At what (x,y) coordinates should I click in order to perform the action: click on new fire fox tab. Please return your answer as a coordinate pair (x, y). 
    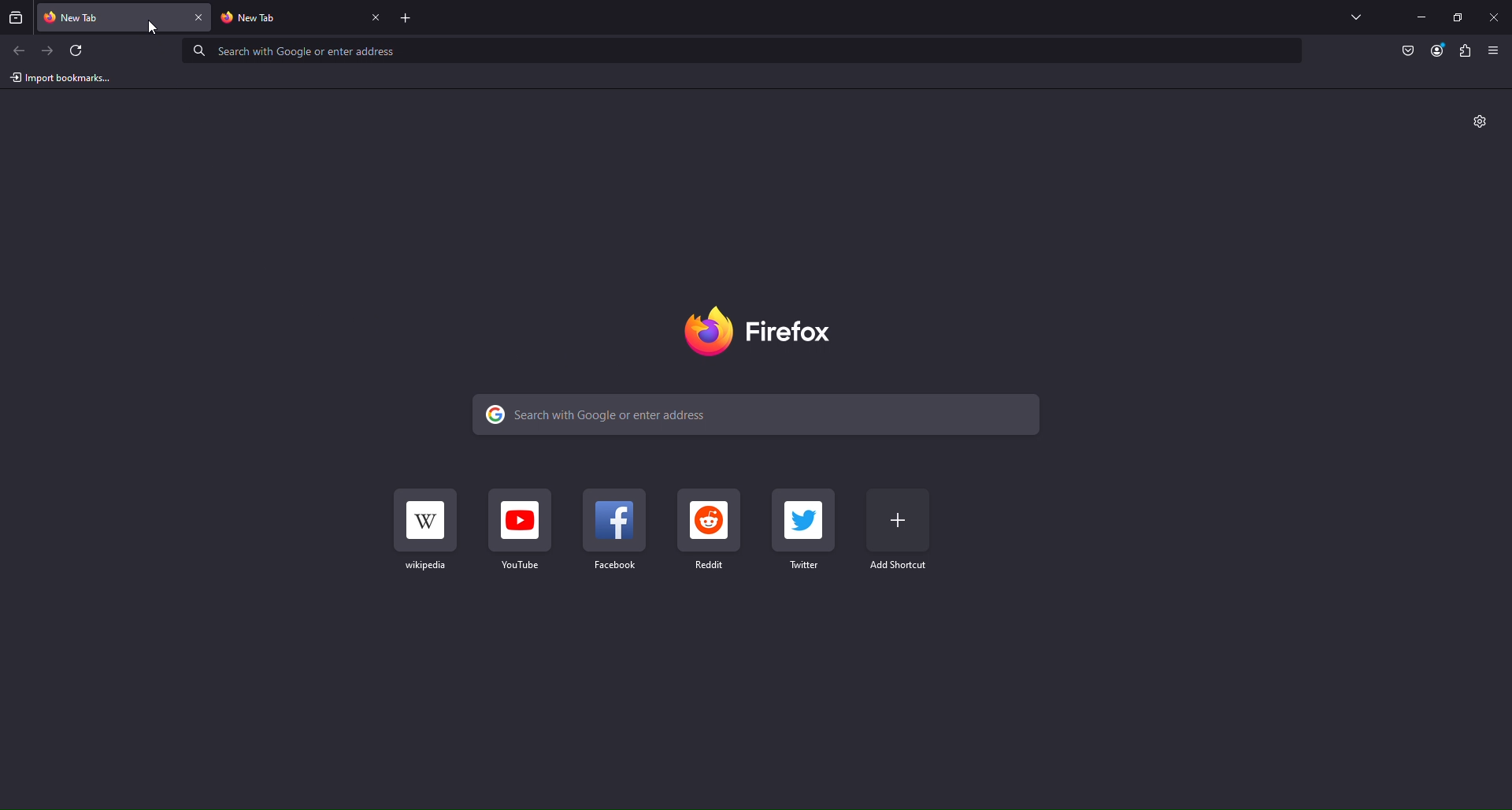
    Looking at the image, I should click on (290, 17).